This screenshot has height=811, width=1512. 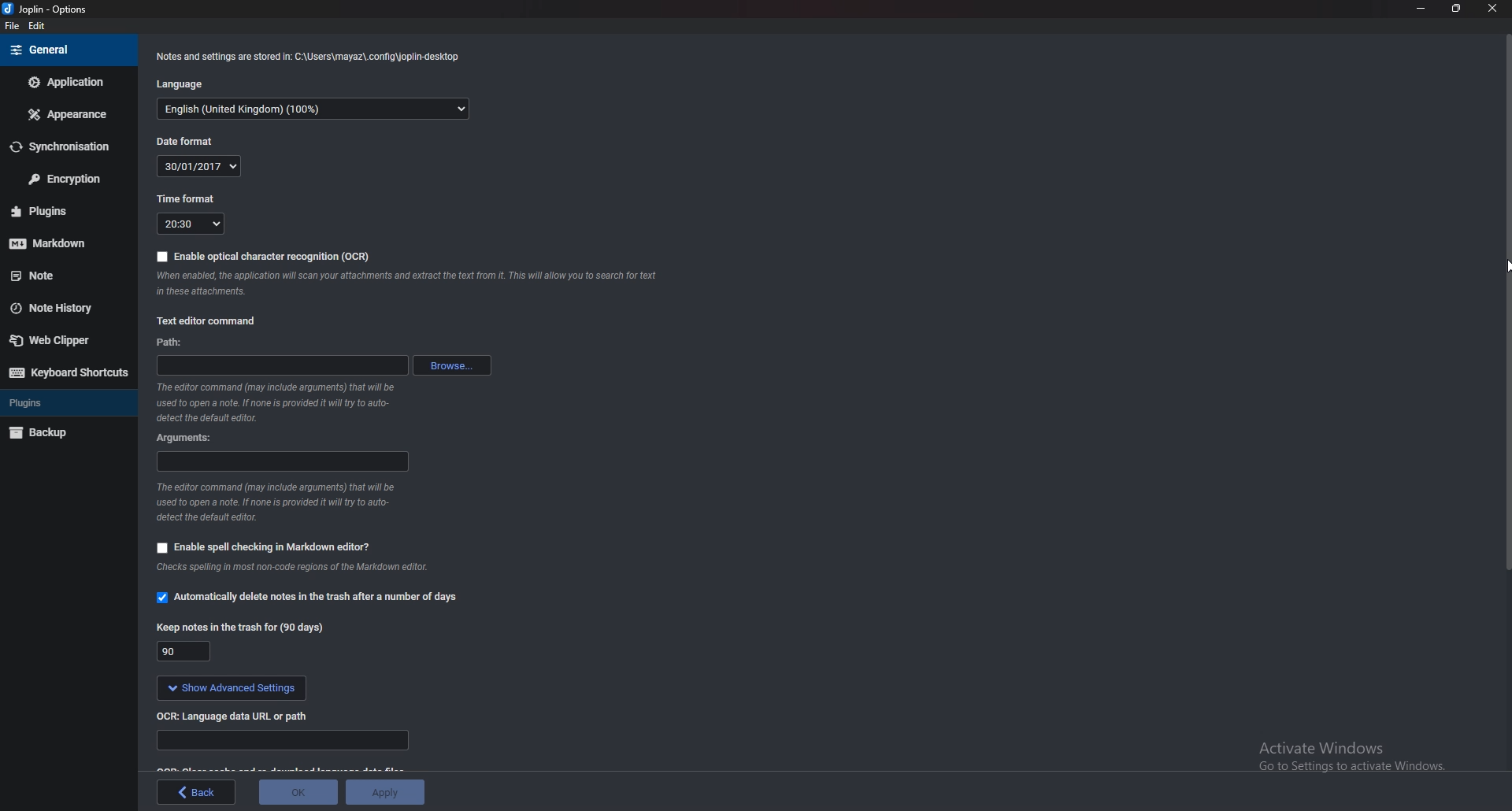 I want to click on Web clipper, so click(x=59, y=340).